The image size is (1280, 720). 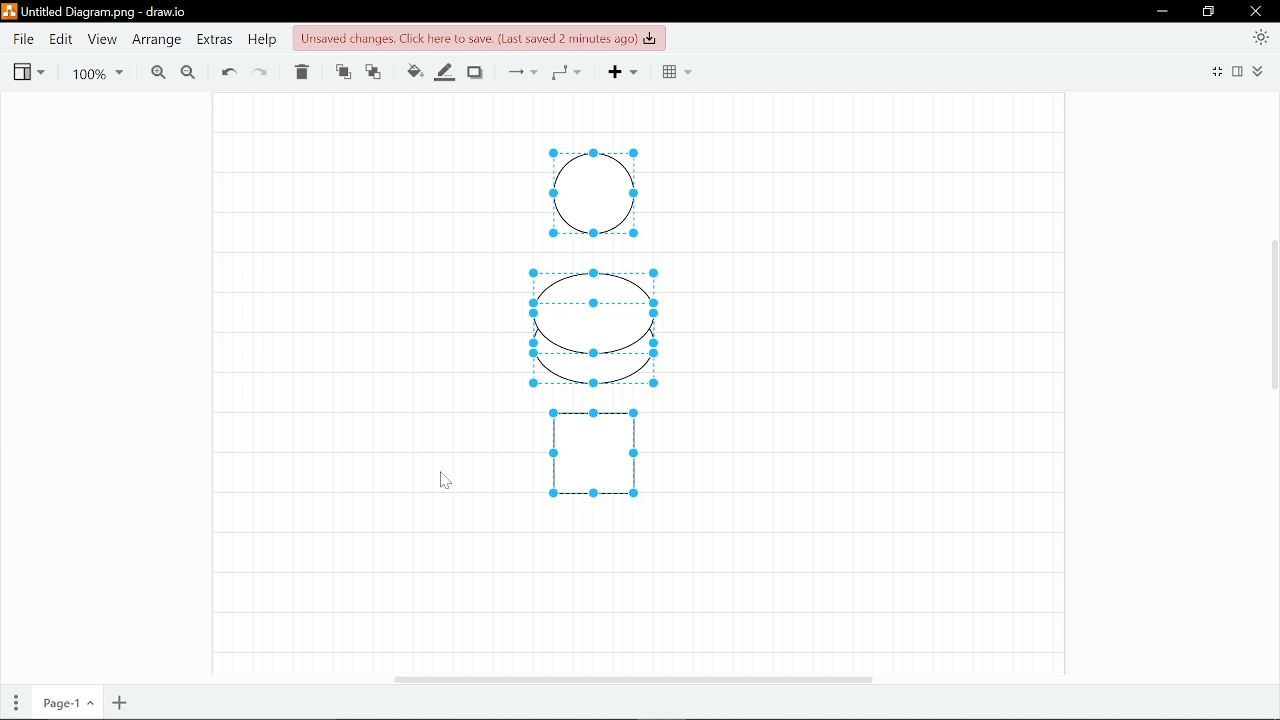 What do you see at coordinates (57, 40) in the screenshot?
I see `Edit` at bounding box center [57, 40].